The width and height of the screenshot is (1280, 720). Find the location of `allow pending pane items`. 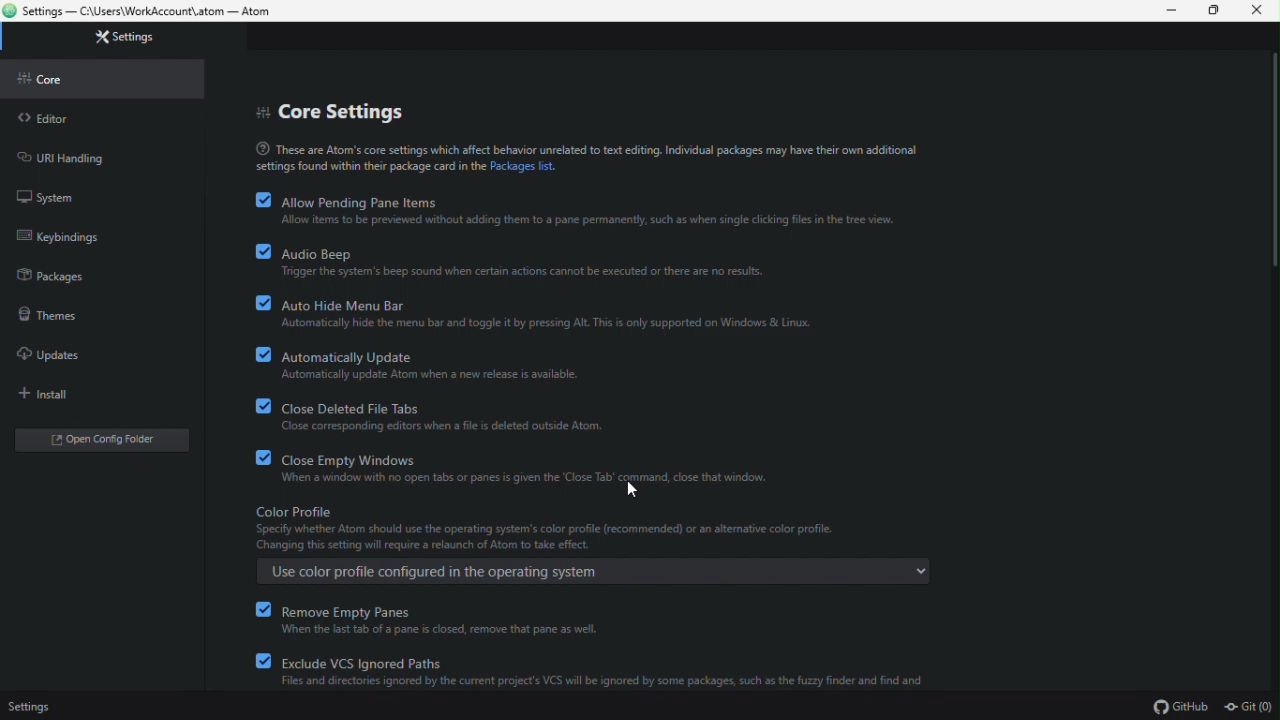

allow pending pane items is located at coordinates (586, 210).